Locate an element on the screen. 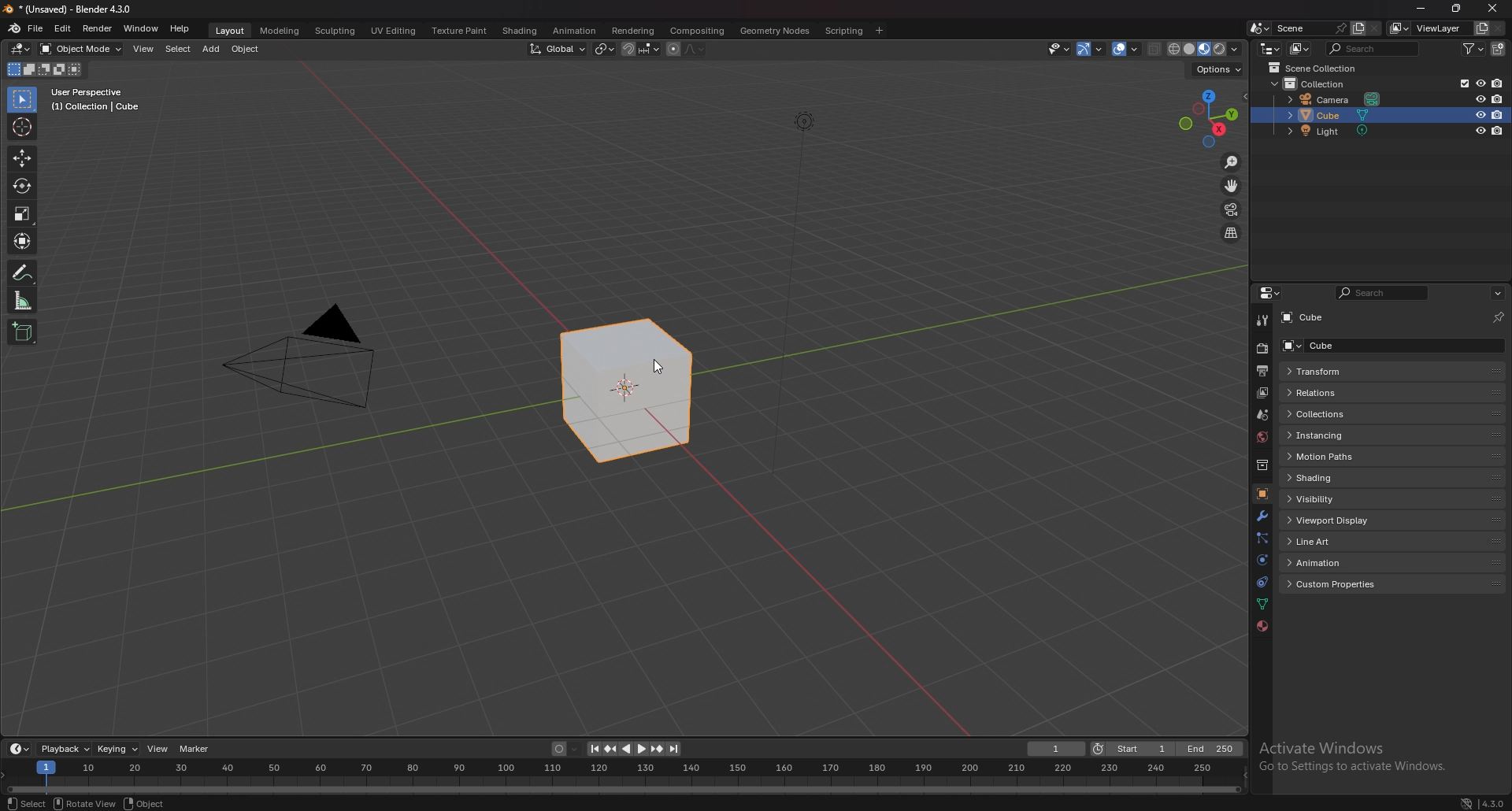 The image size is (1512, 811). keying is located at coordinates (116, 750).